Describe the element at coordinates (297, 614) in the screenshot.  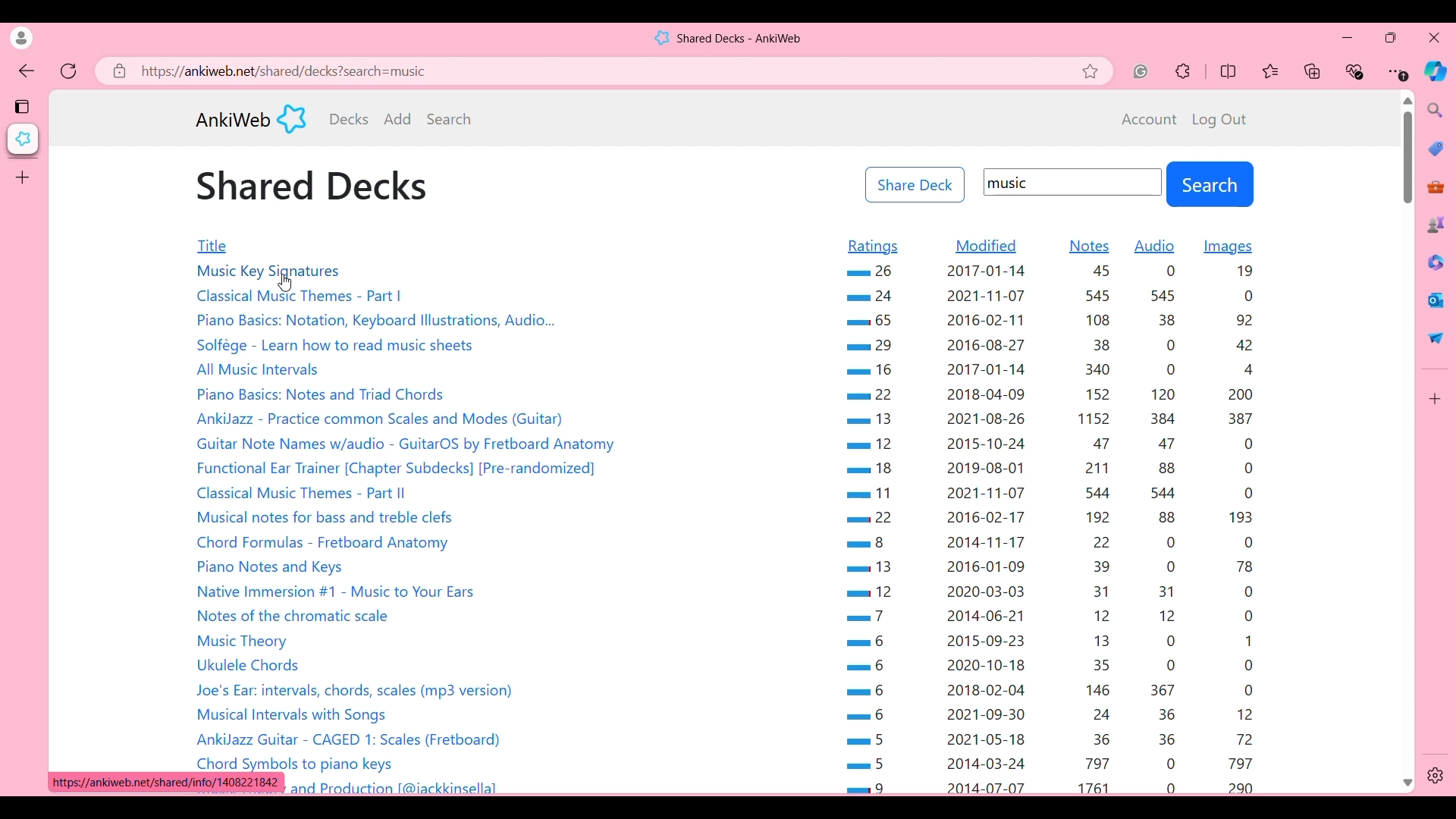
I see `Notes of the chromatic scale` at that location.